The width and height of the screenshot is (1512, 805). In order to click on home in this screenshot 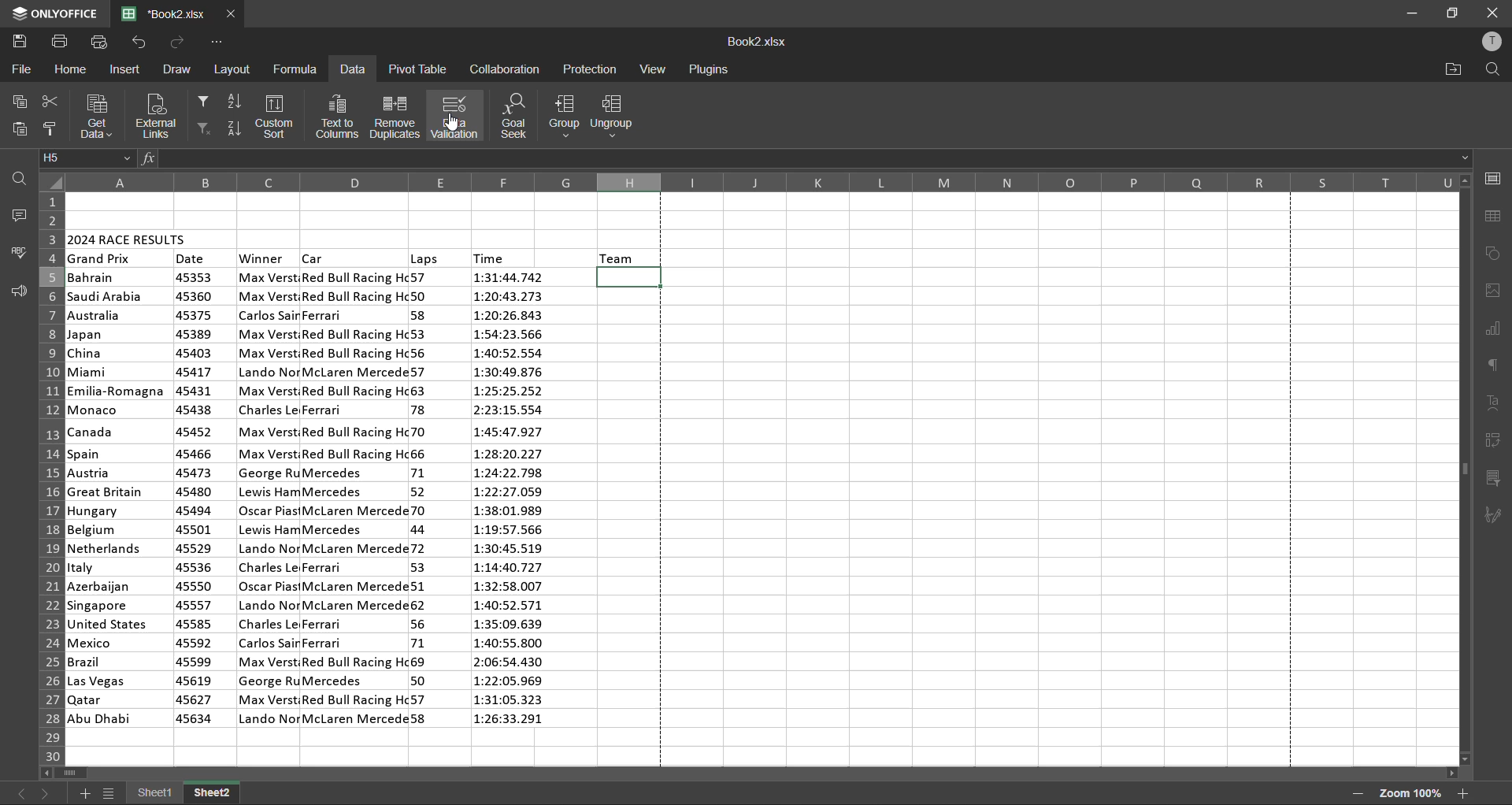, I will do `click(71, 71)`.